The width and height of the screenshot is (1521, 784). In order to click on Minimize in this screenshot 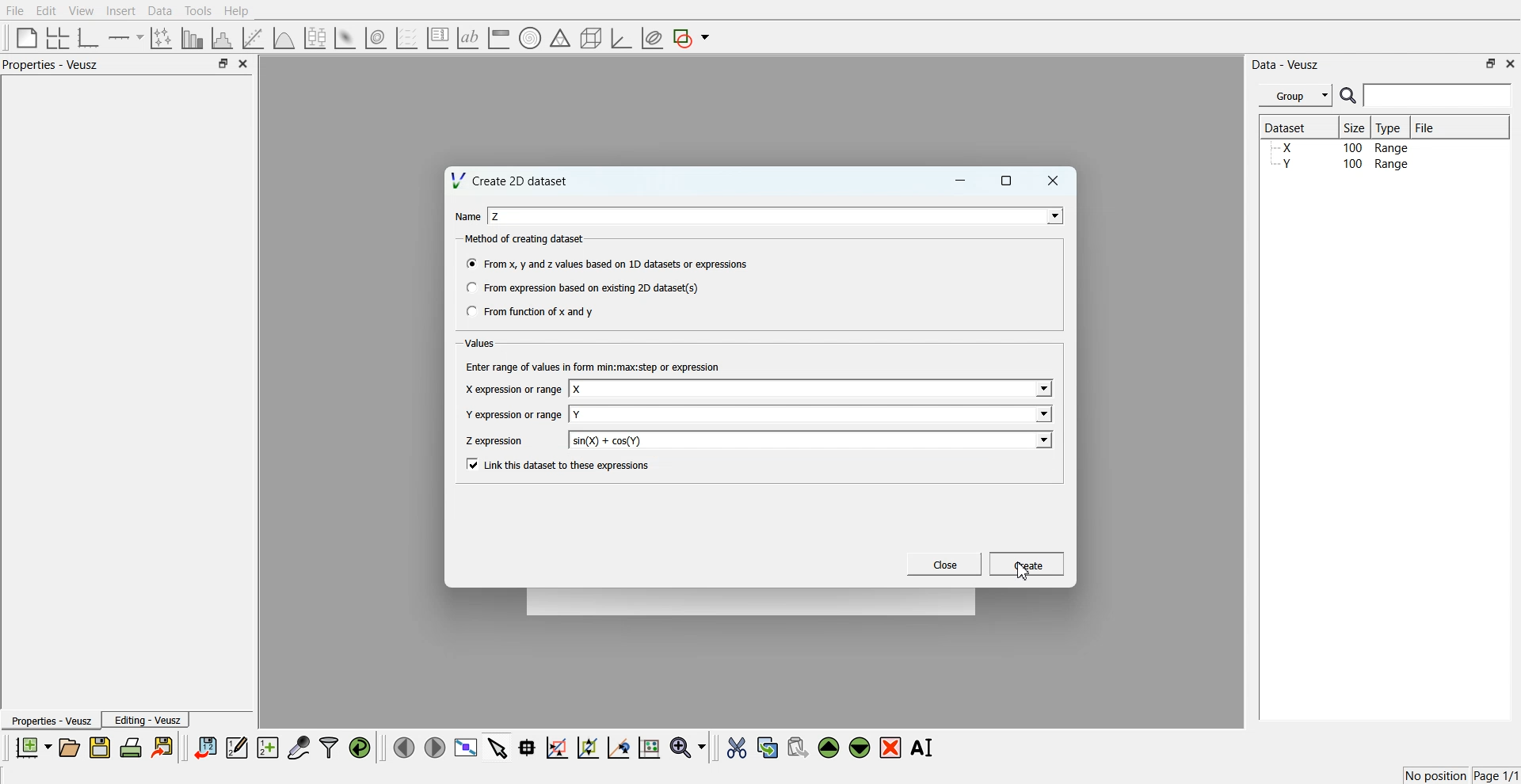, I will do `click(960, 181)`.